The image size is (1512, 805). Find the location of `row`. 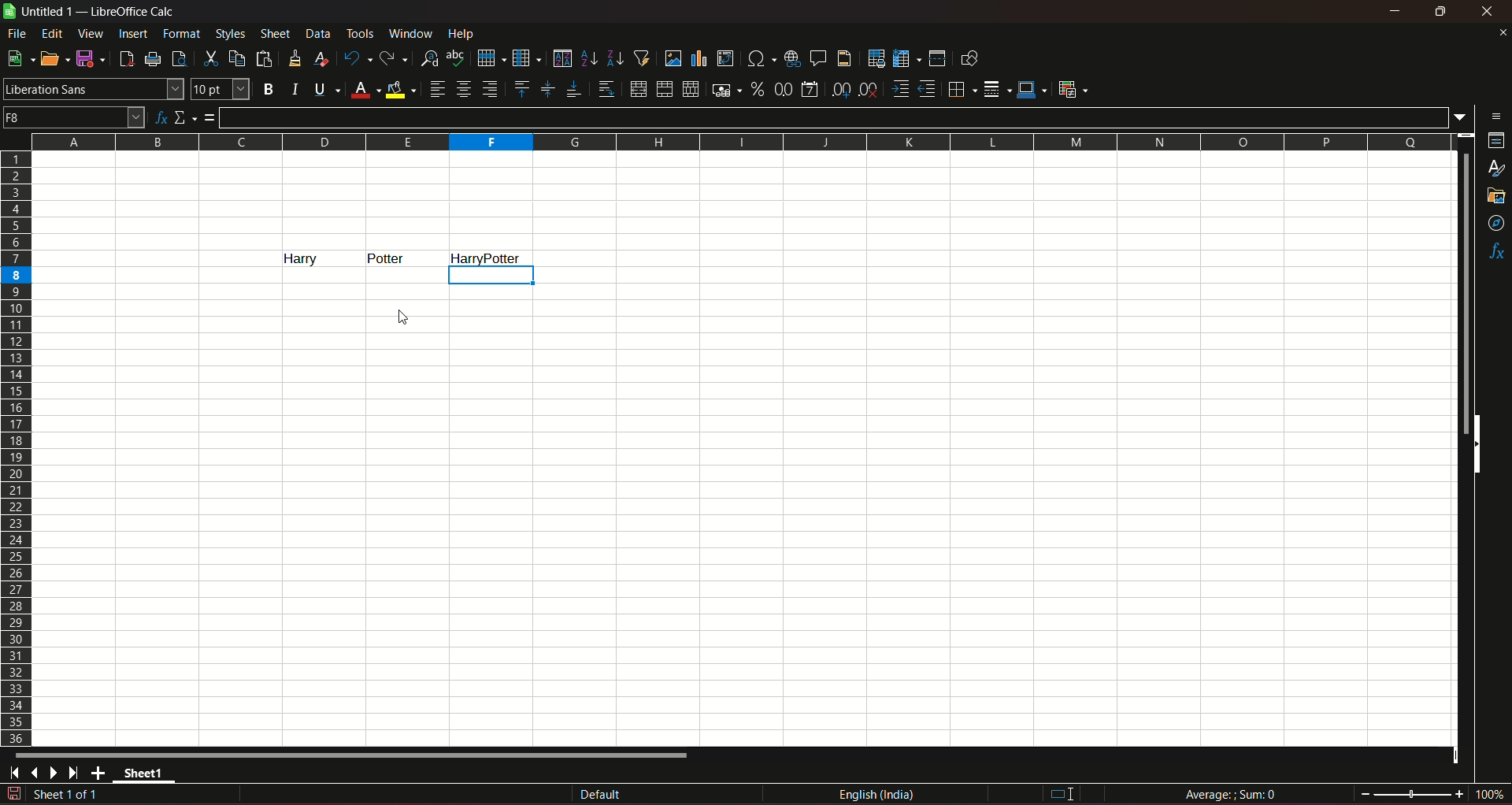

row is located at coordinates (487, 57).